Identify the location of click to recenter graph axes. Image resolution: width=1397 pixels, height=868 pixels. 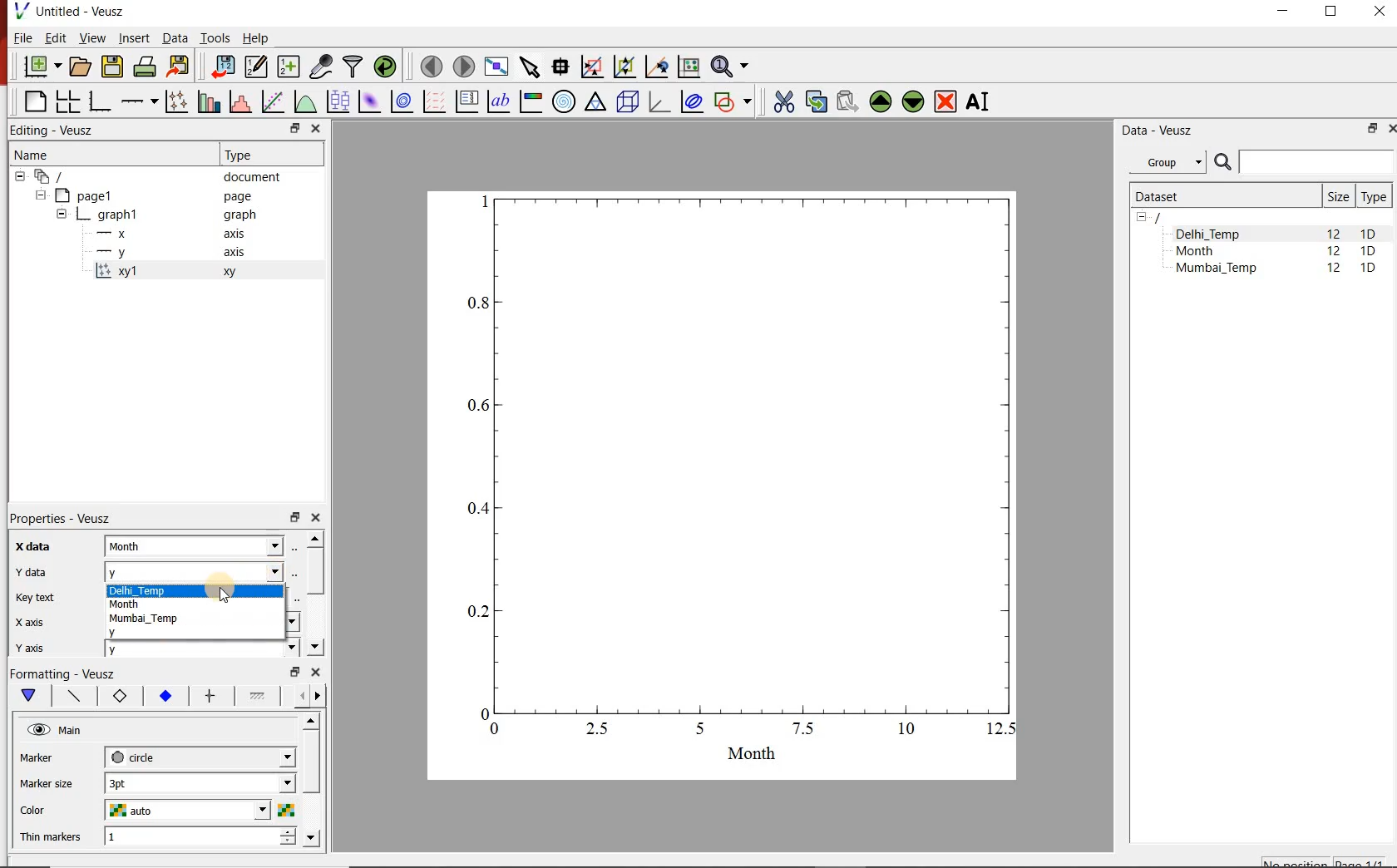
(656, 67).